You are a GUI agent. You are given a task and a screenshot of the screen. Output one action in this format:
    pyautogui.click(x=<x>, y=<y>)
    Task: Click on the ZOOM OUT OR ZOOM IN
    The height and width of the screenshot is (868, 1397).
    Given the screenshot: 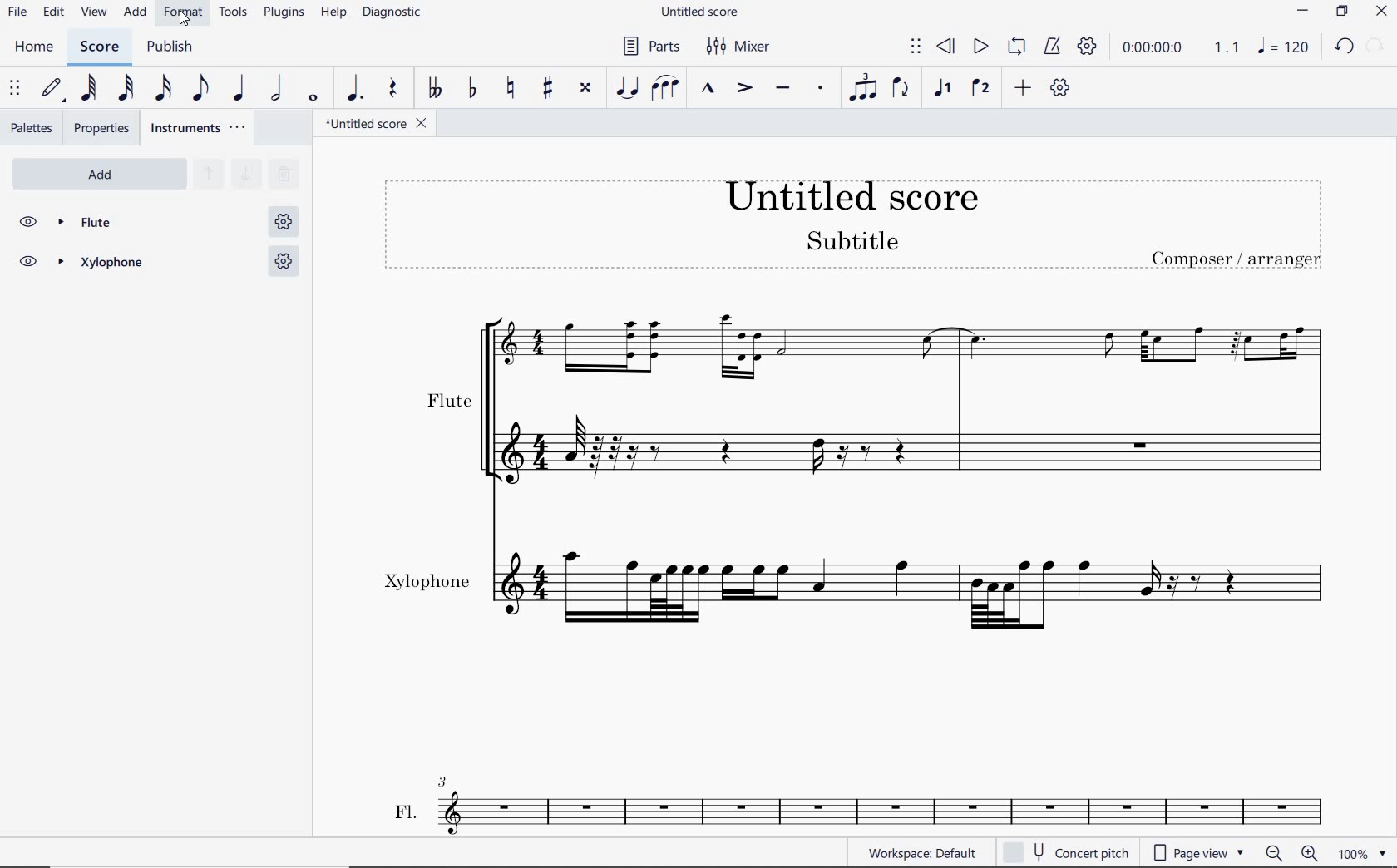 What is the action you would take?
    pyautogui.click(x=1291, y=854)
    